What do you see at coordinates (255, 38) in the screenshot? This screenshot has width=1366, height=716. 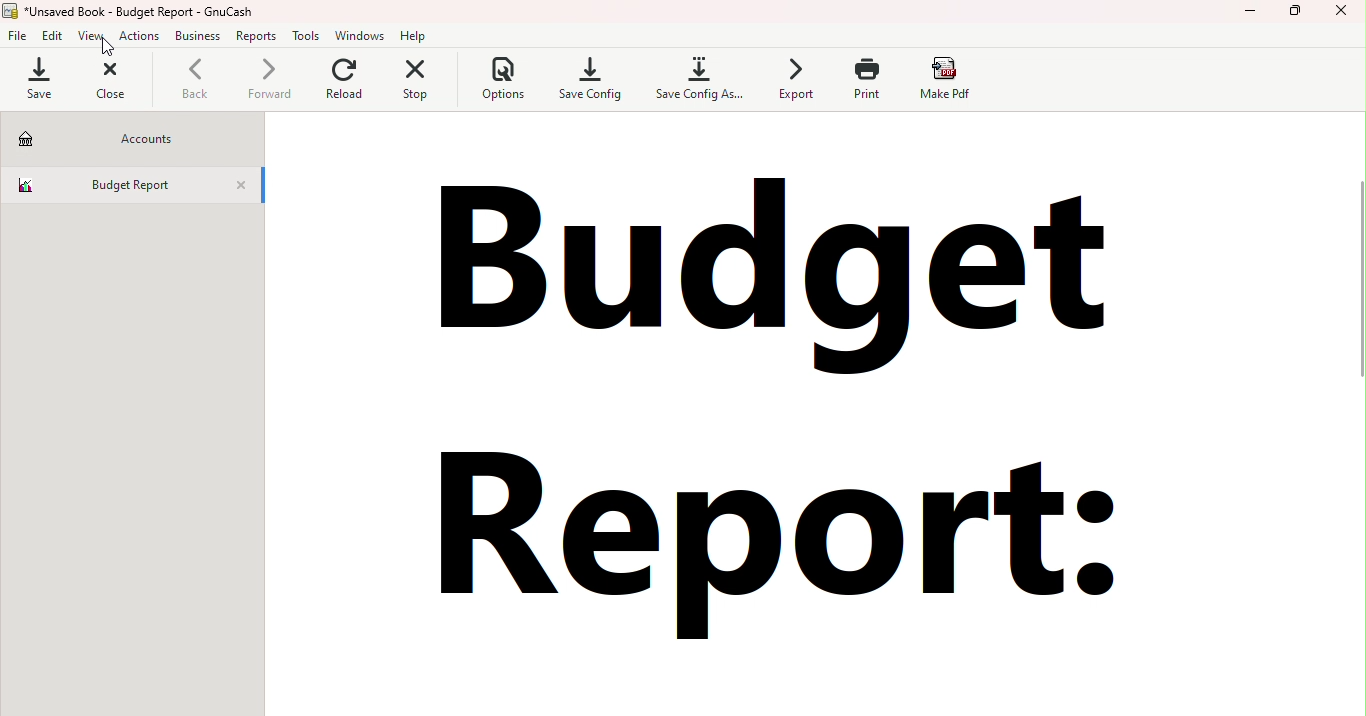 I see `Reports` at bounding box center [255, 38].